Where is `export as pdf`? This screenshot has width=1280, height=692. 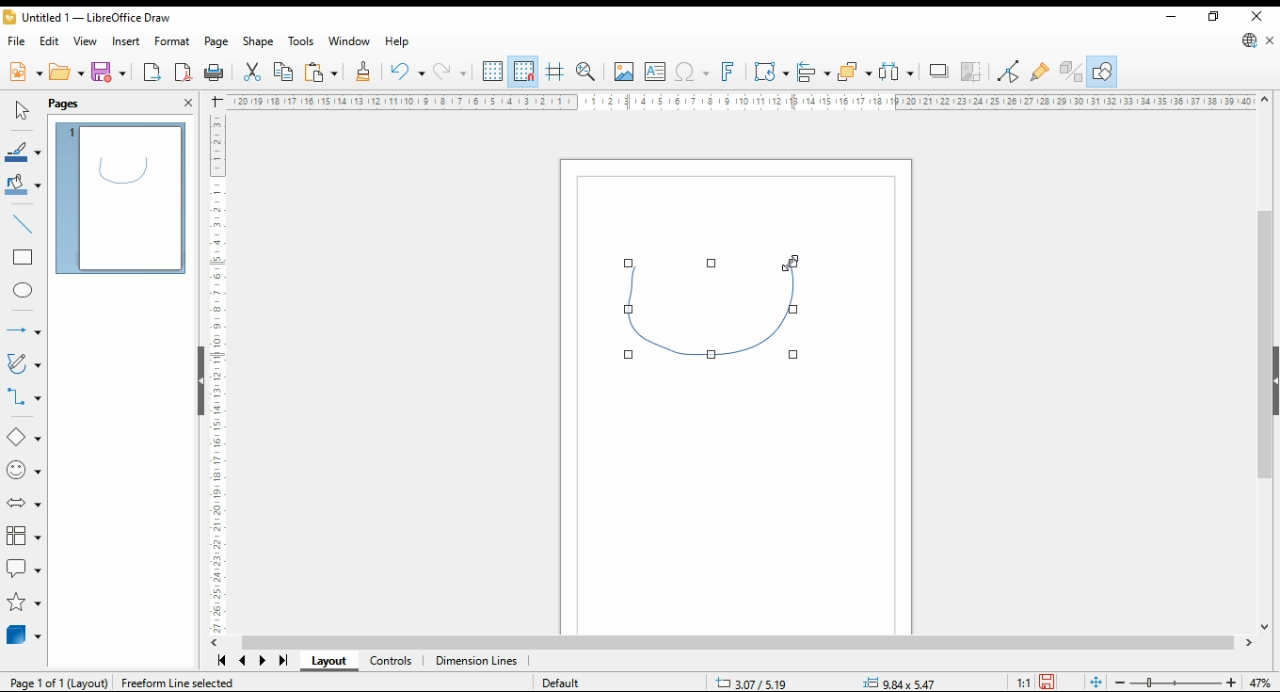
export as pdf is located at coordinates (183, 73).